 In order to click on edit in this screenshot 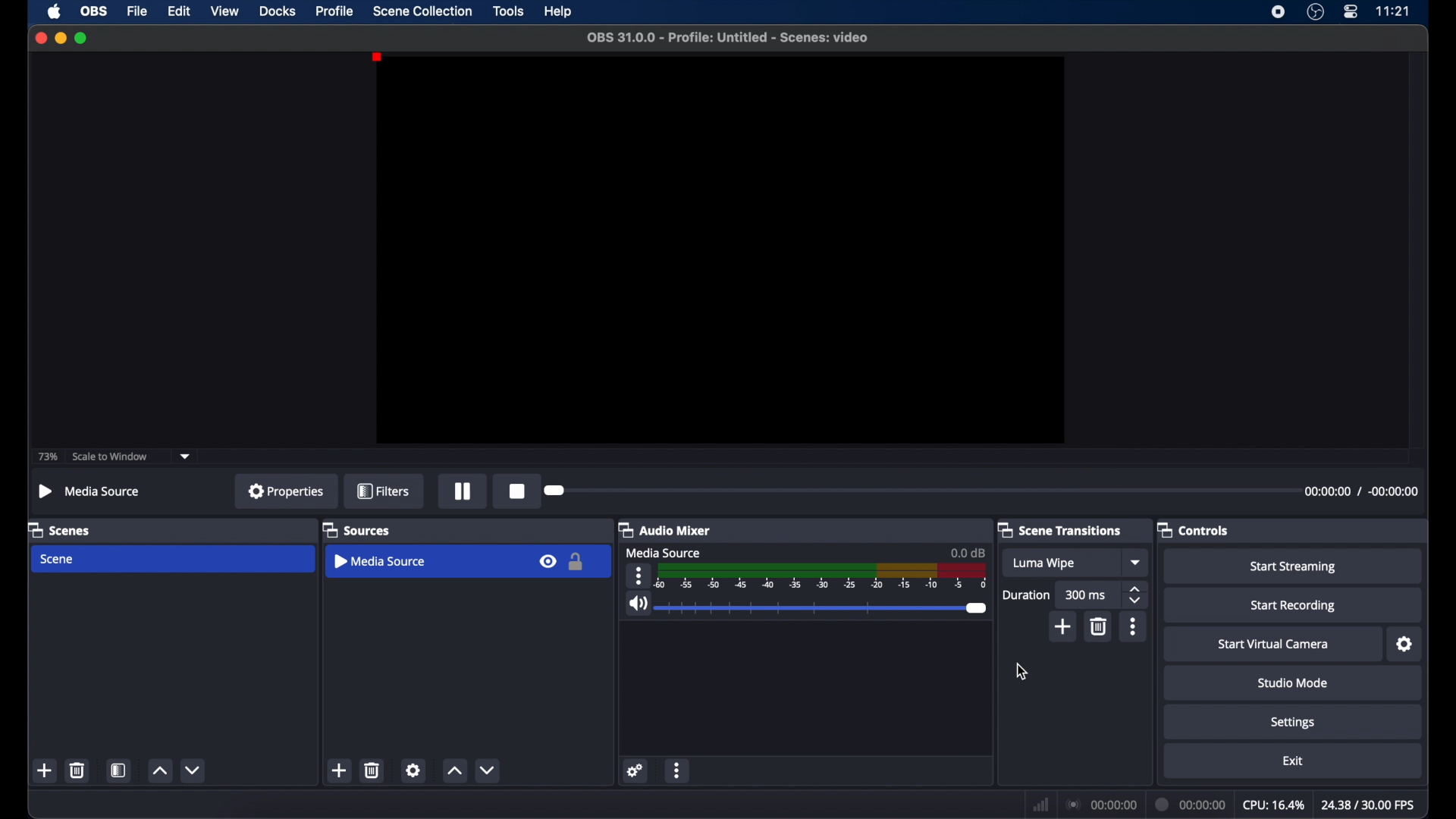, I will do `click(178, 12)`.